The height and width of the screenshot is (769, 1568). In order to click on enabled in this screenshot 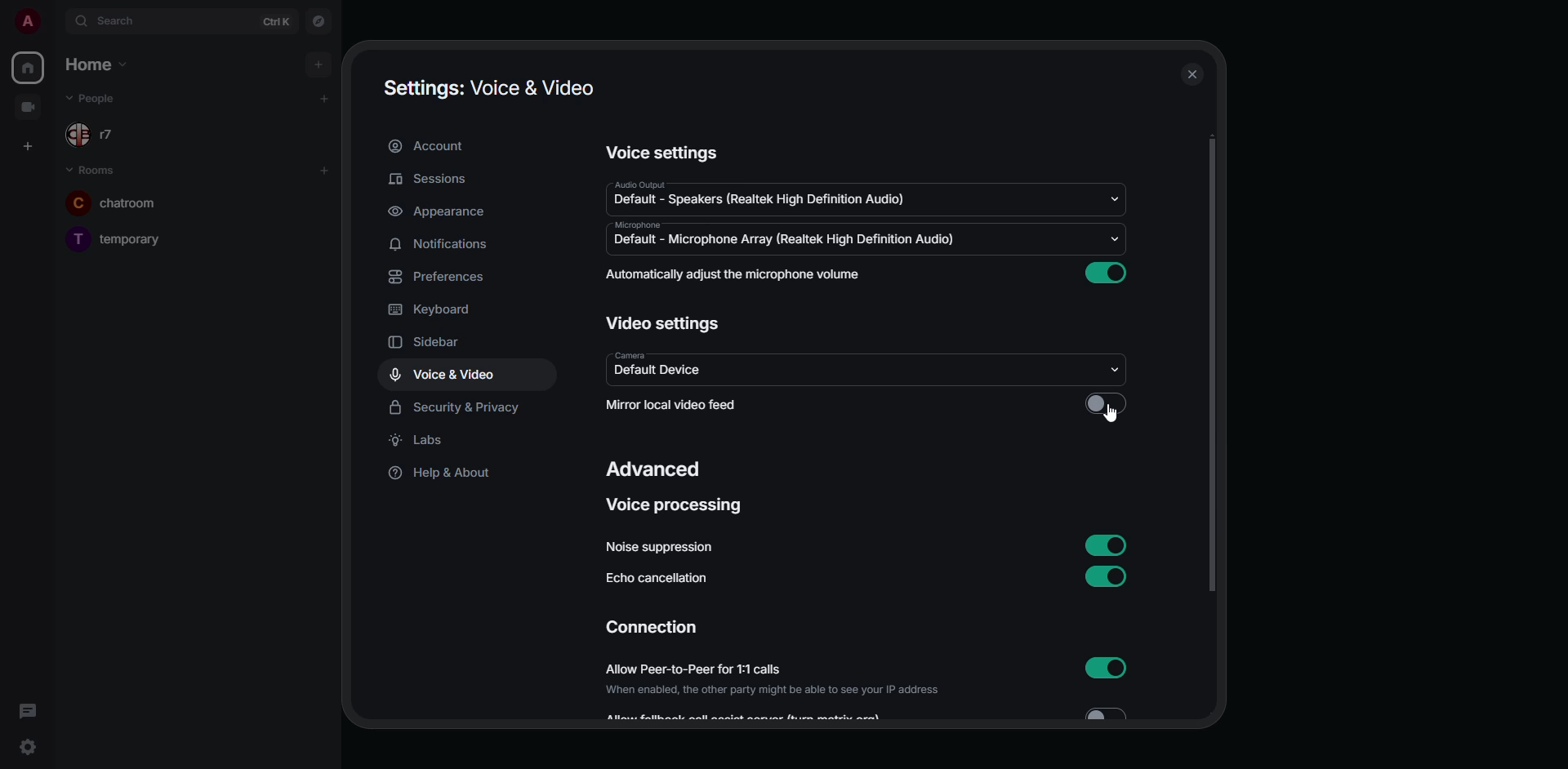, I will do `click(1108, 576)`.